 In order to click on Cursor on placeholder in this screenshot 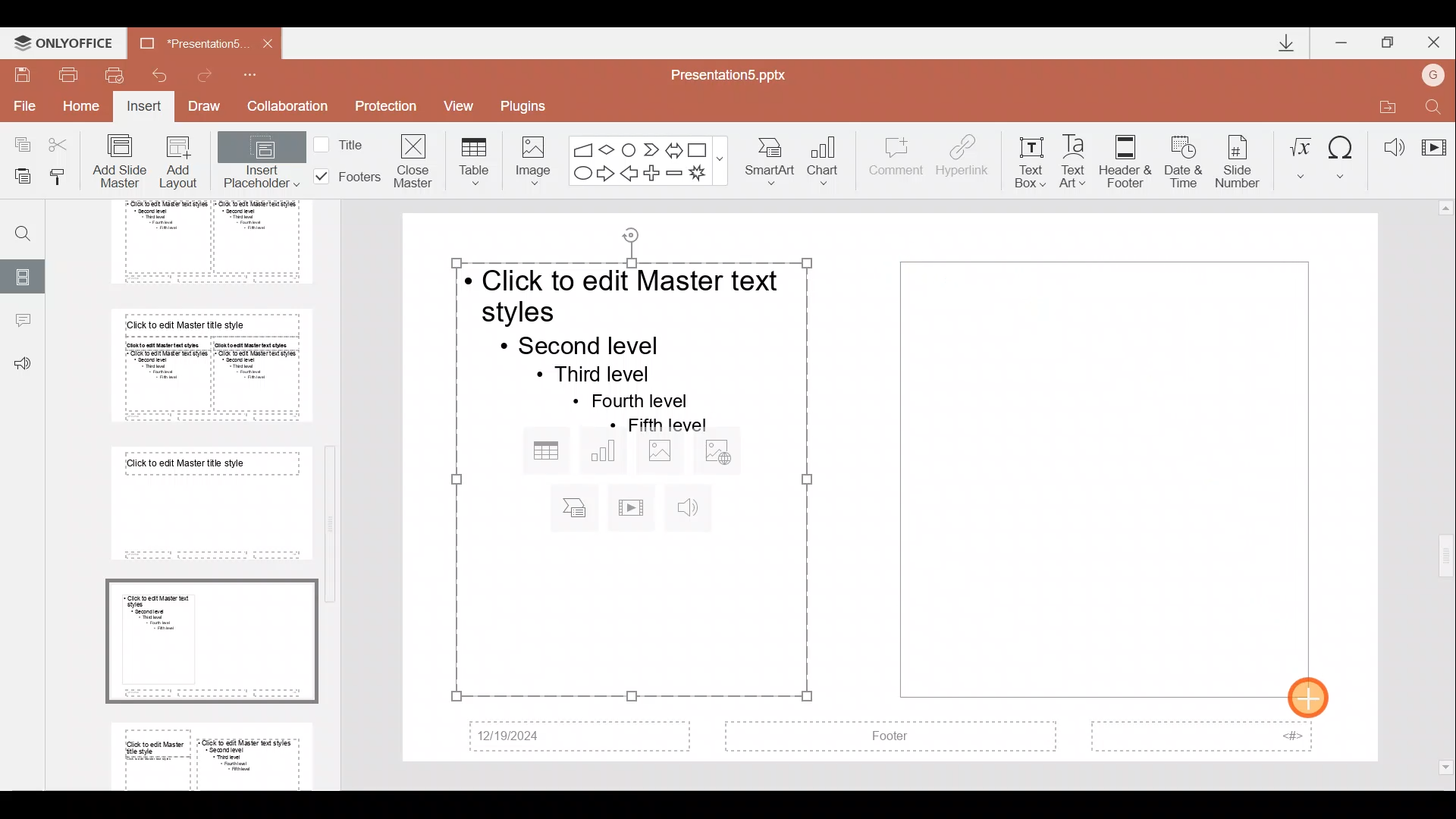, I will do `click(1310, 696)`.